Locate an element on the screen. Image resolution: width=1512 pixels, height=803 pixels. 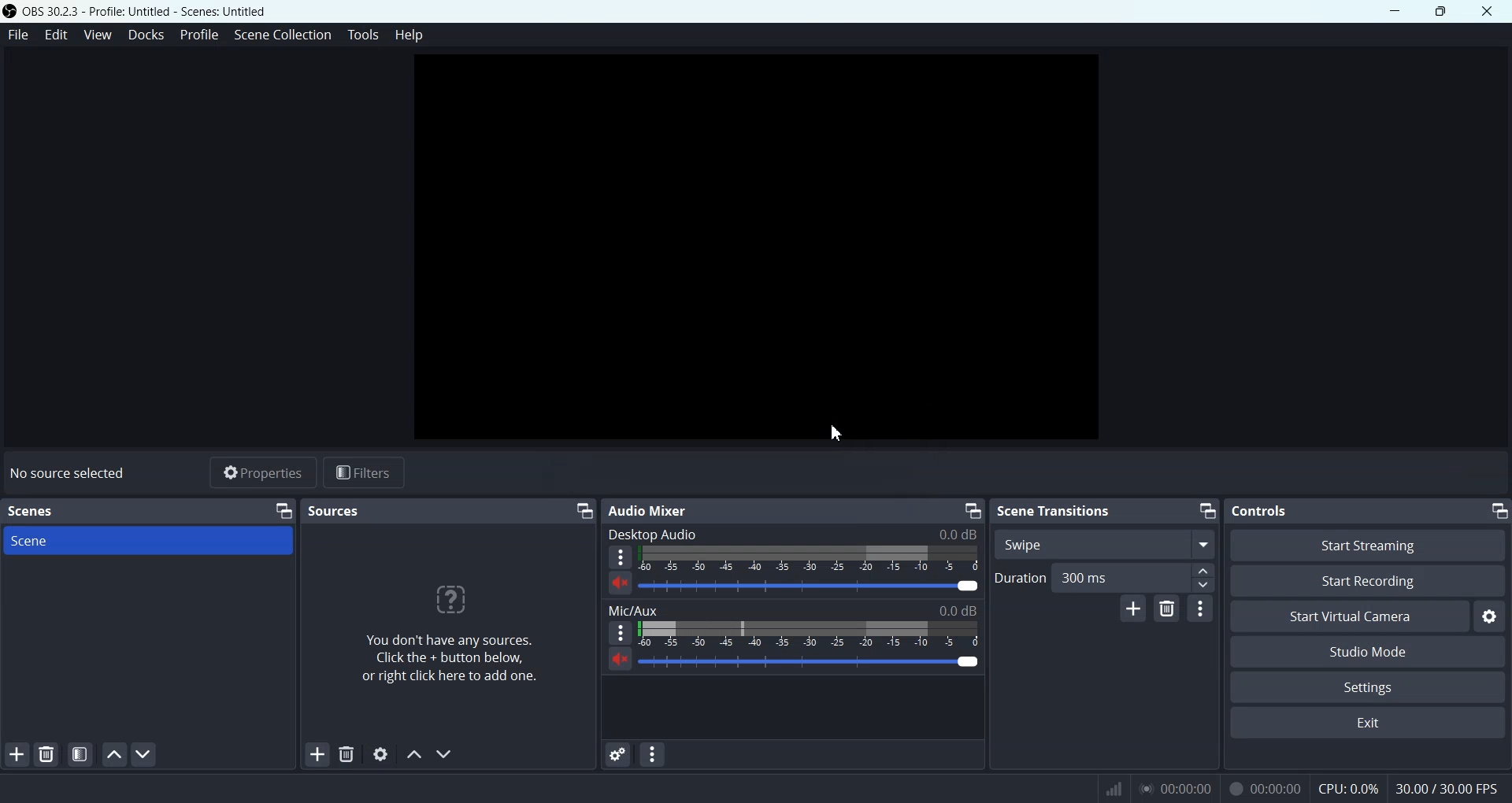
Volume Adjuster is located at coordinates (810, 661).